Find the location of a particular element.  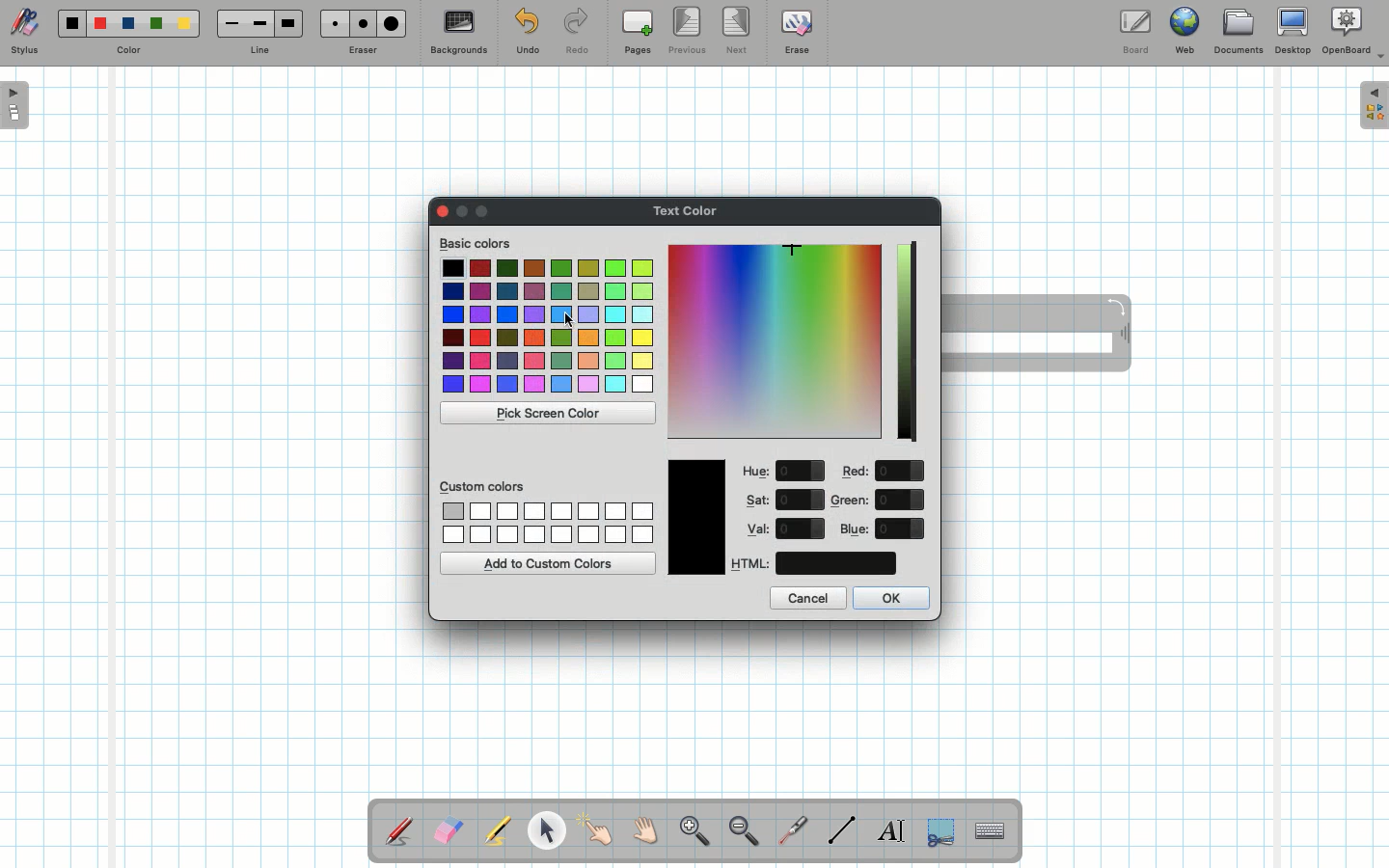

Stylus is located at coordinates (400, 830).